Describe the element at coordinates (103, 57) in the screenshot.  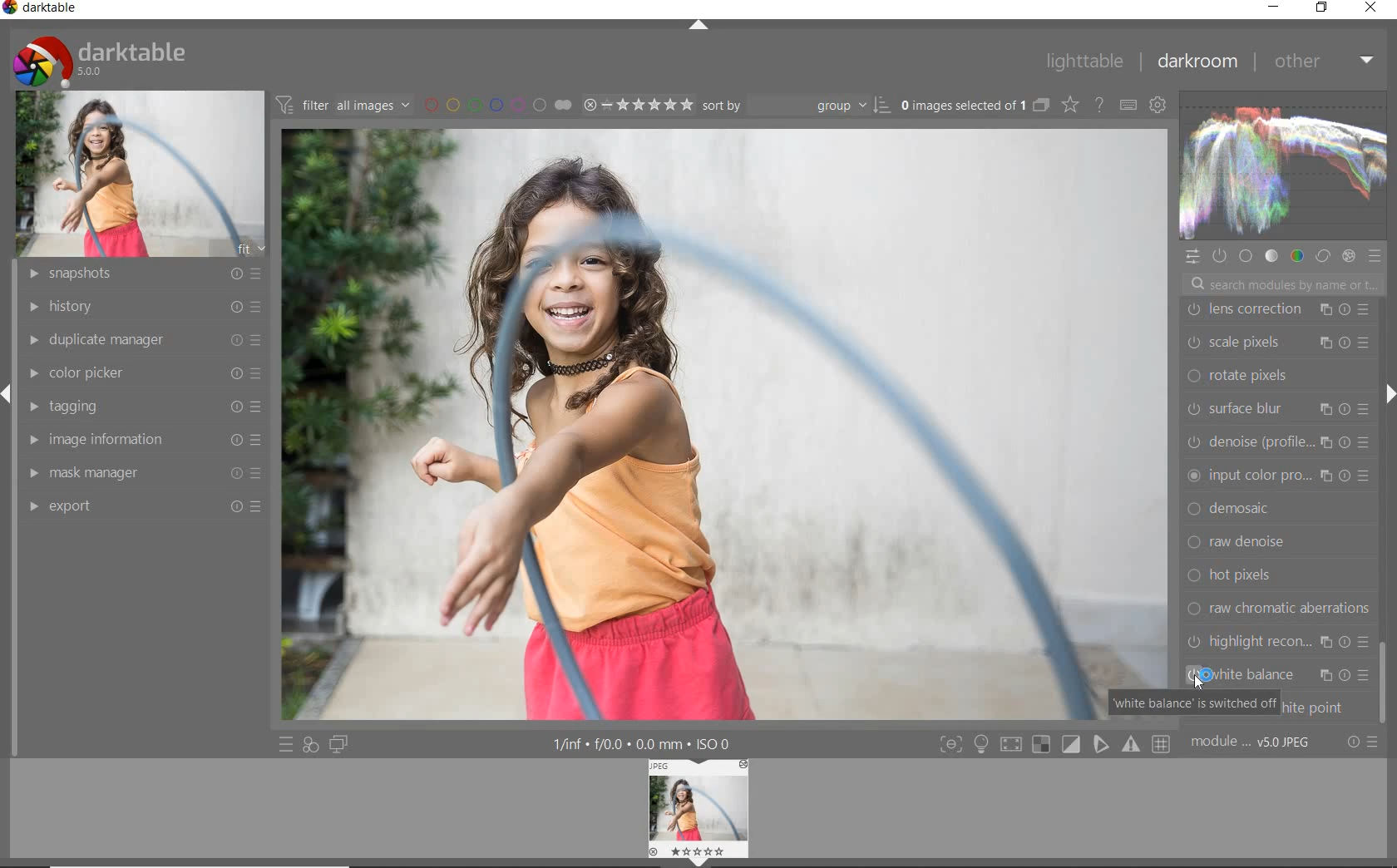
I see `system logo & name` at that location.